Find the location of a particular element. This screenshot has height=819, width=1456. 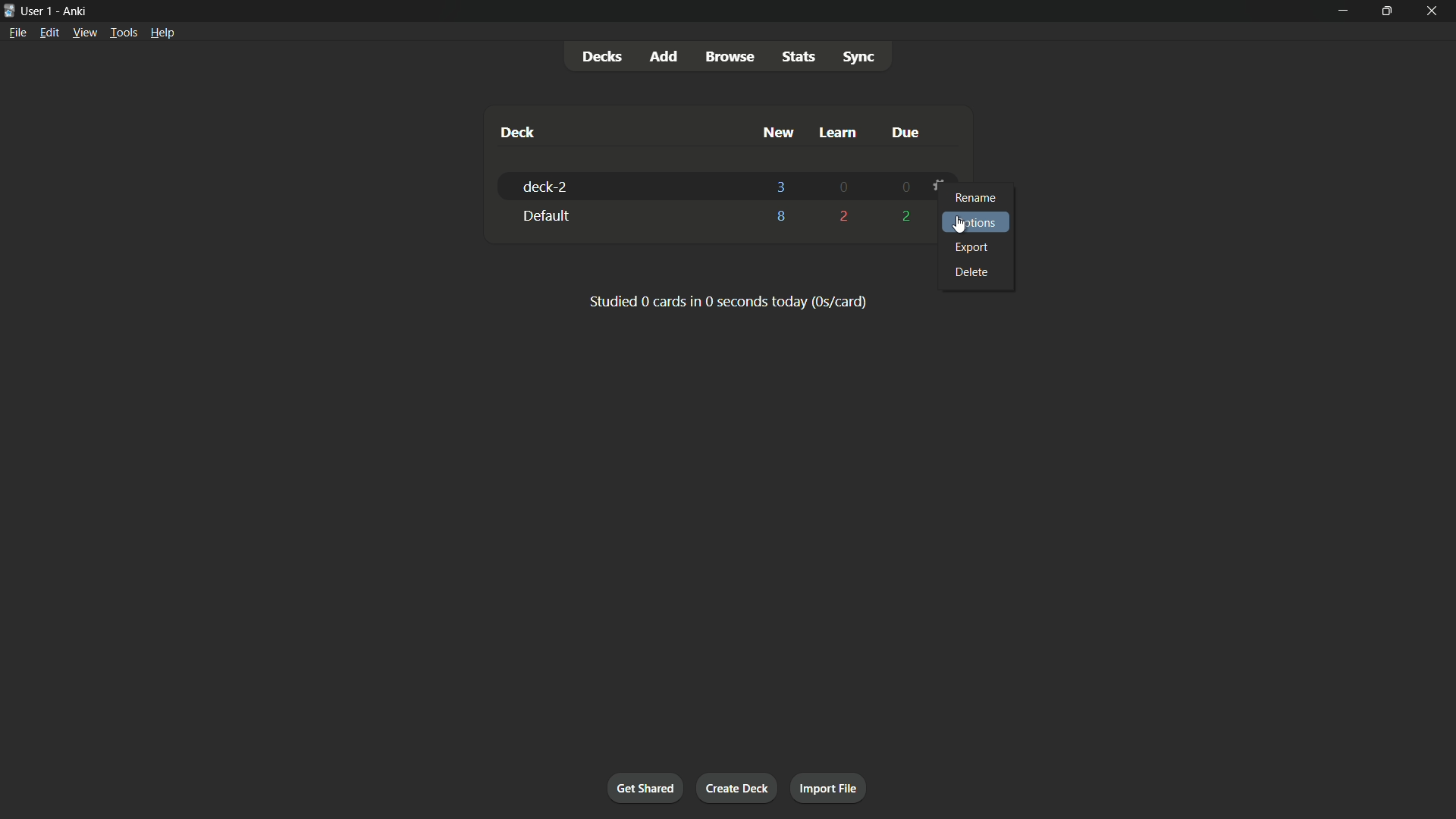

8 is located at coordinates (781, 220).